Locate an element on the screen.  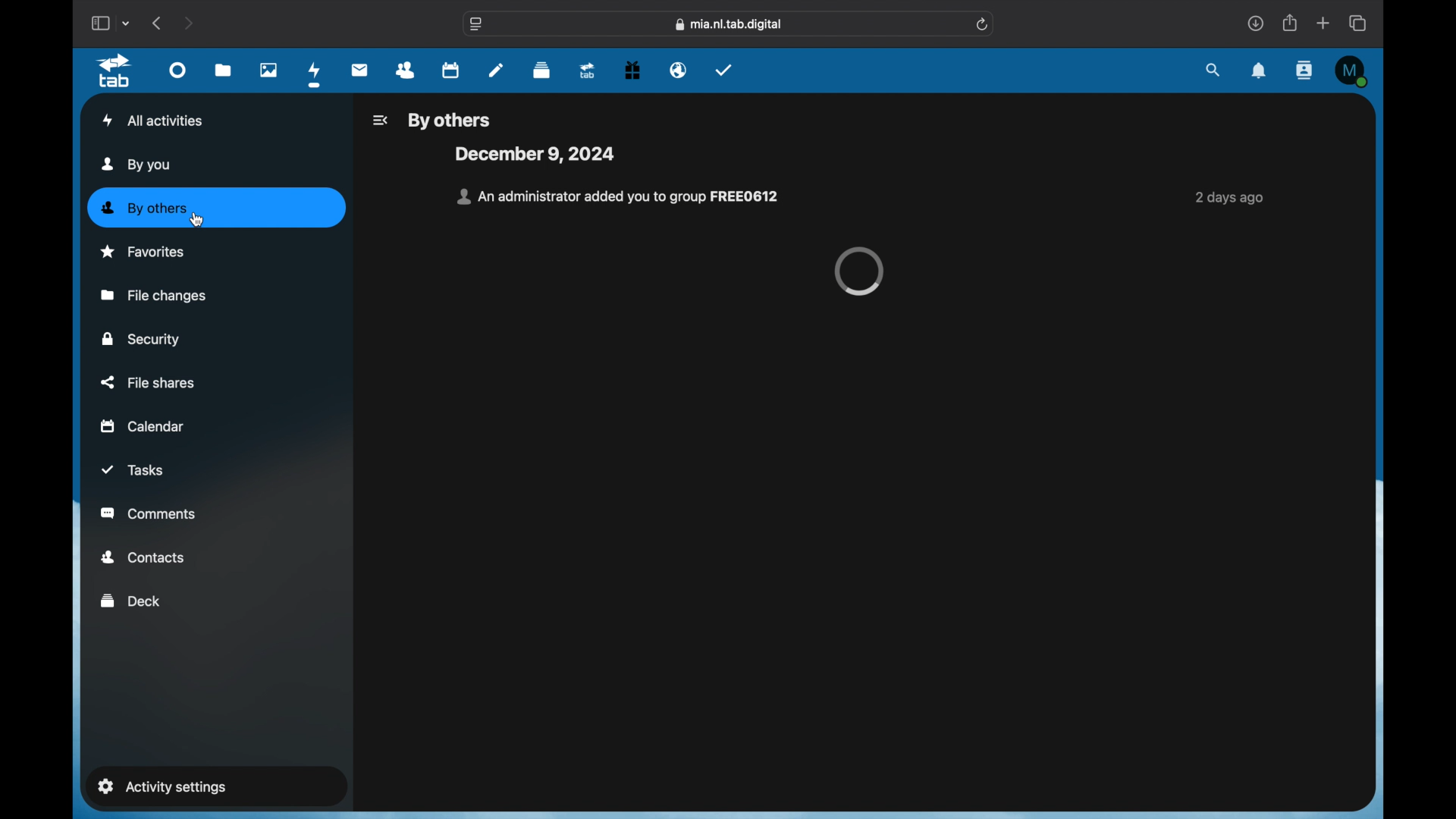
cursor is located at coordinates (200, 222).